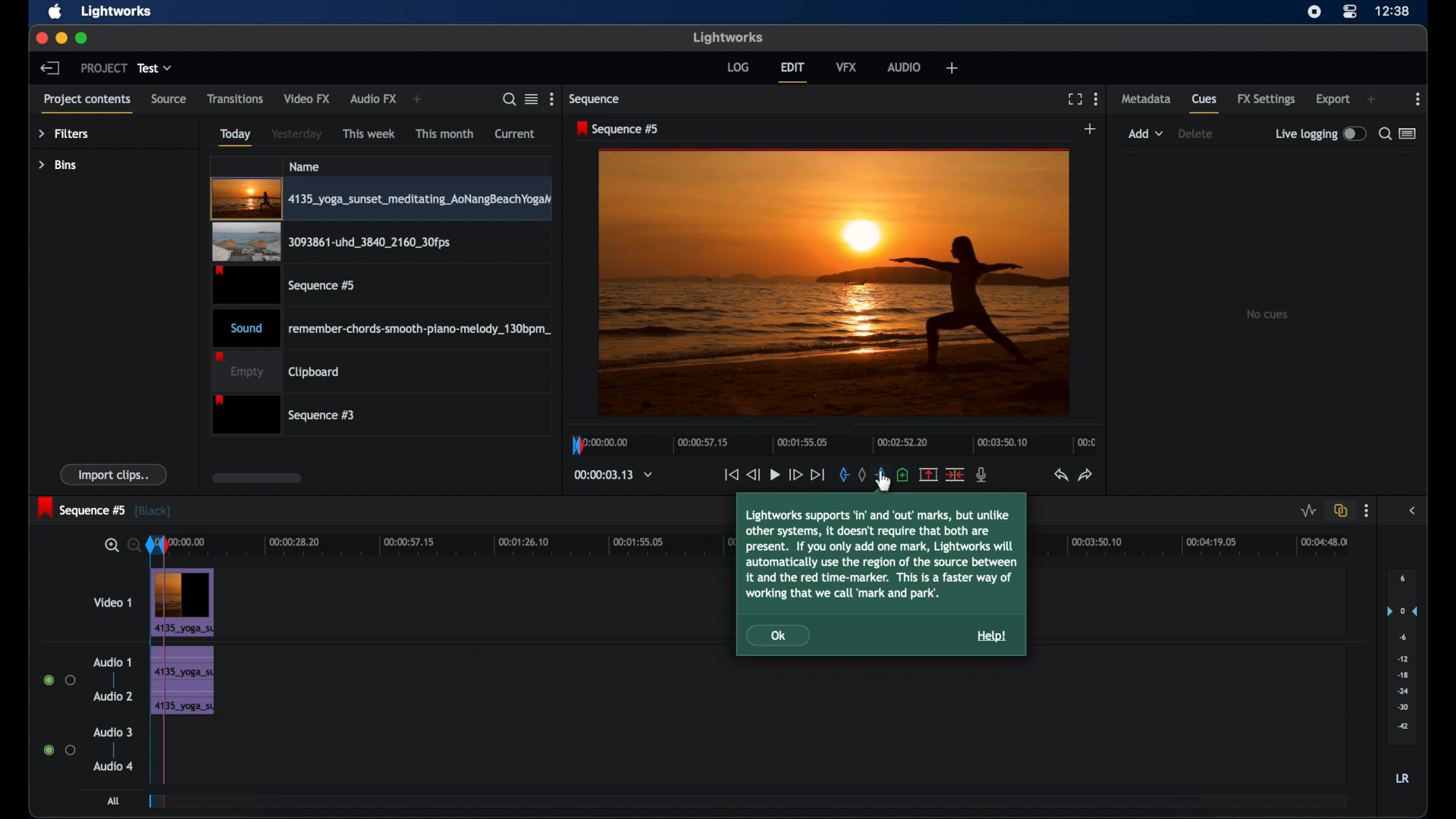 The height and width of the screenshot is (819, 1456). Describe the element at coordinates (902, 66) in the screenshot. I see `audio` at that location.